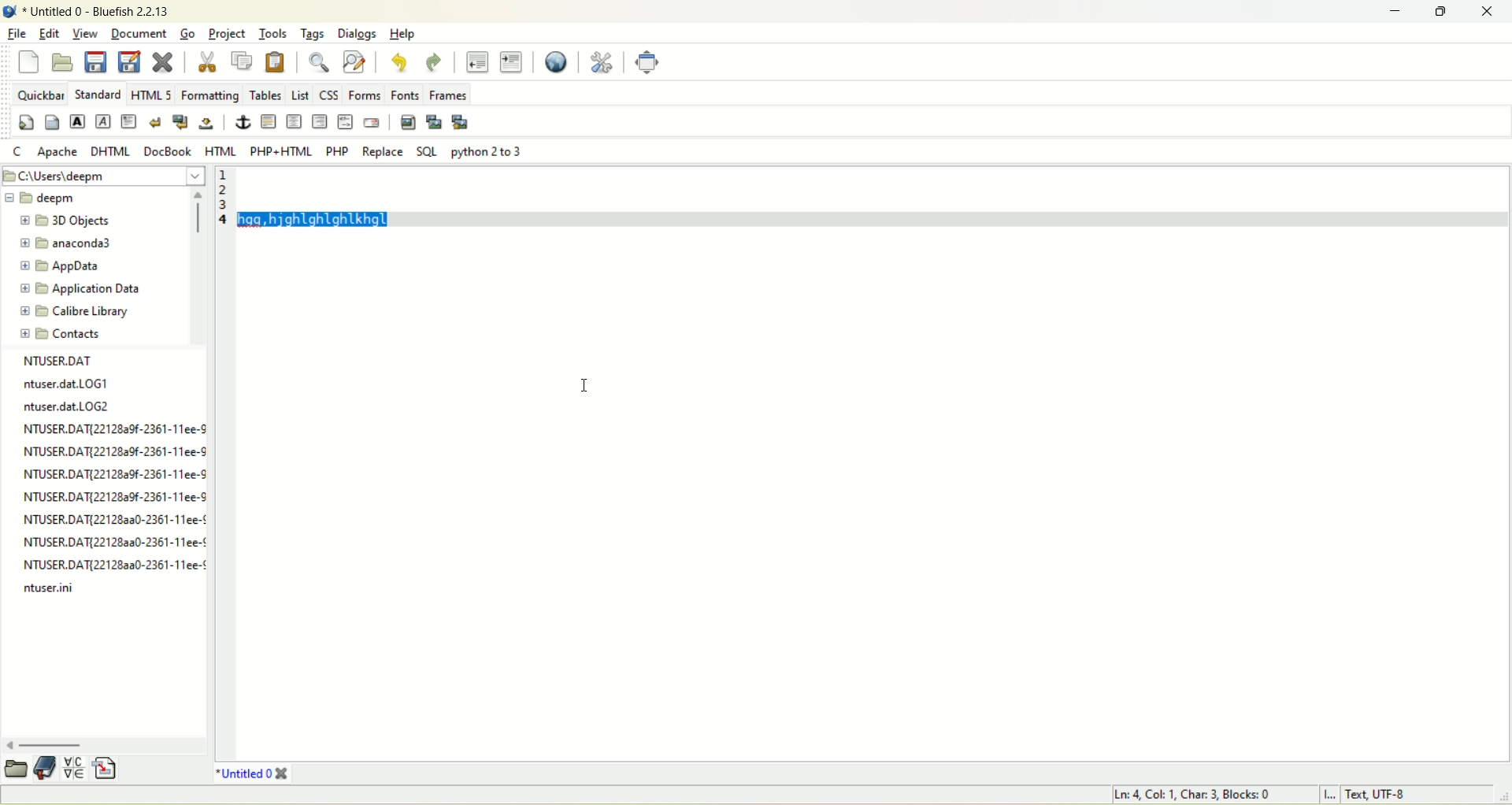 The height and width of the screenshot is (805, 1512). What do you see at coordinates (180, 122) in the screenshot?
I see `break and clear` at bounding box center [180, 122].